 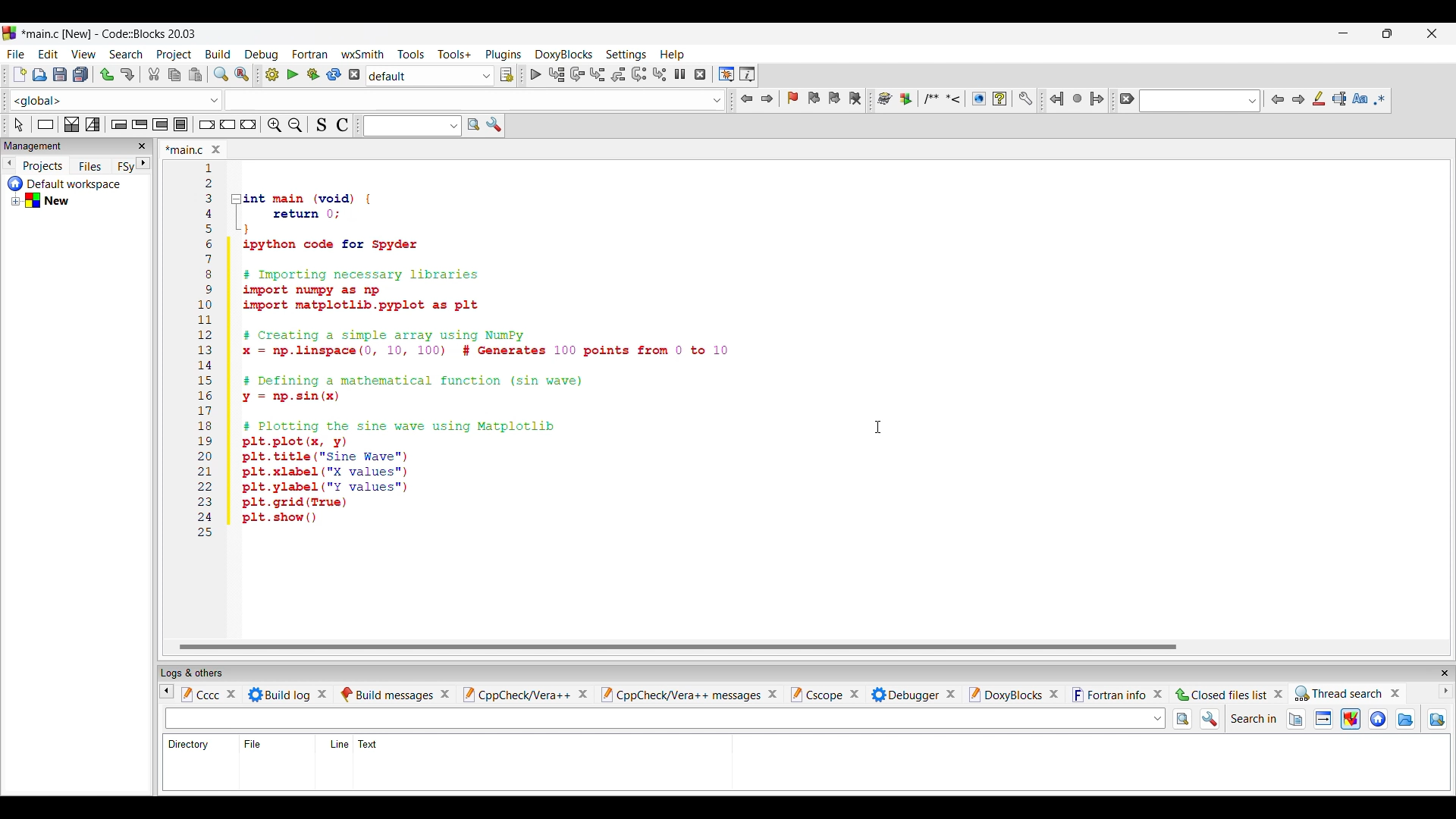 What do you see at coordinates (218, 54) in the screenshot?
I see `Build menu` at bounding box center [218, 54].